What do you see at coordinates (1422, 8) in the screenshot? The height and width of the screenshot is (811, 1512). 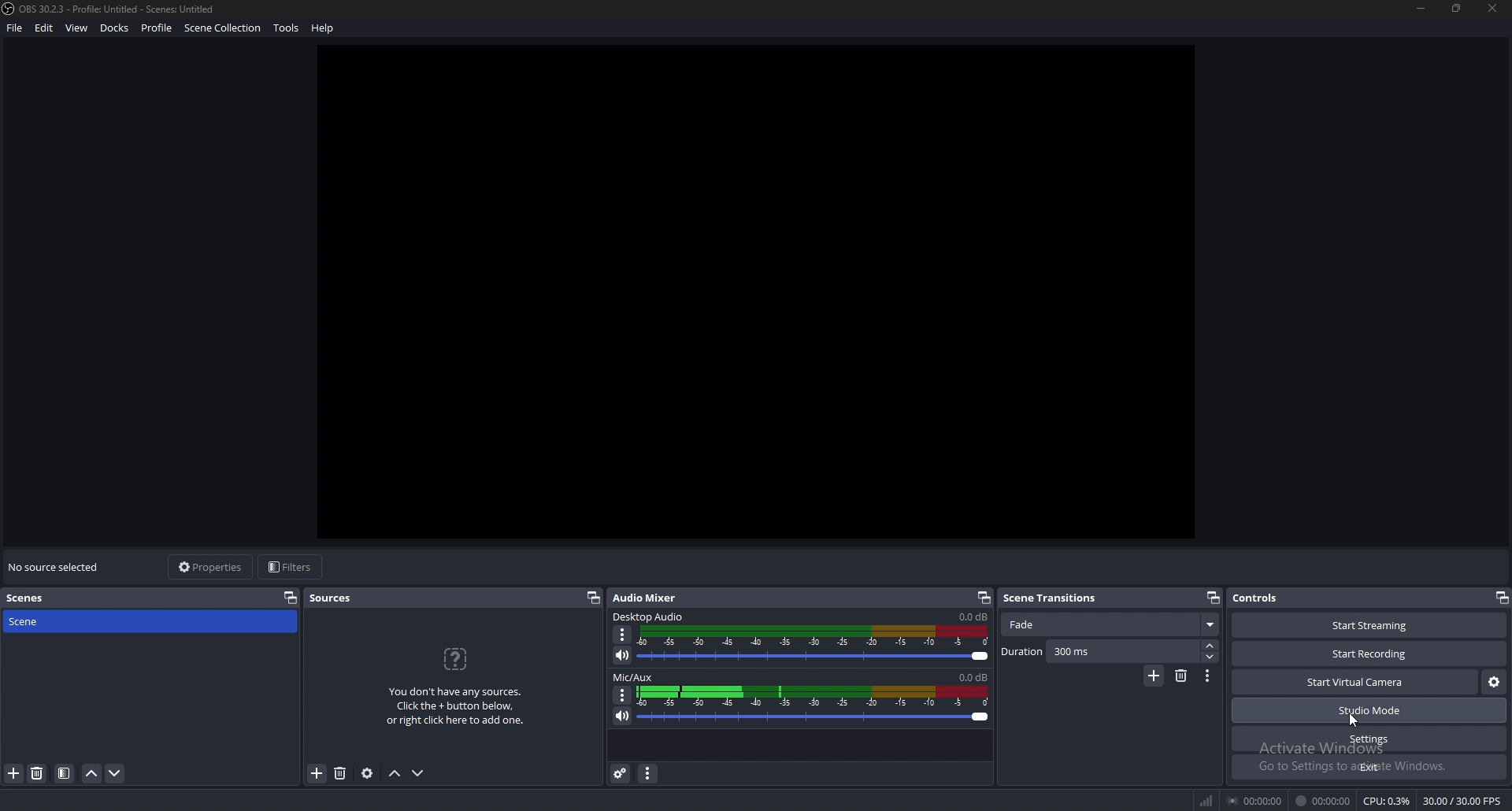 I see `minimize` at bounding box center [1422, 8].